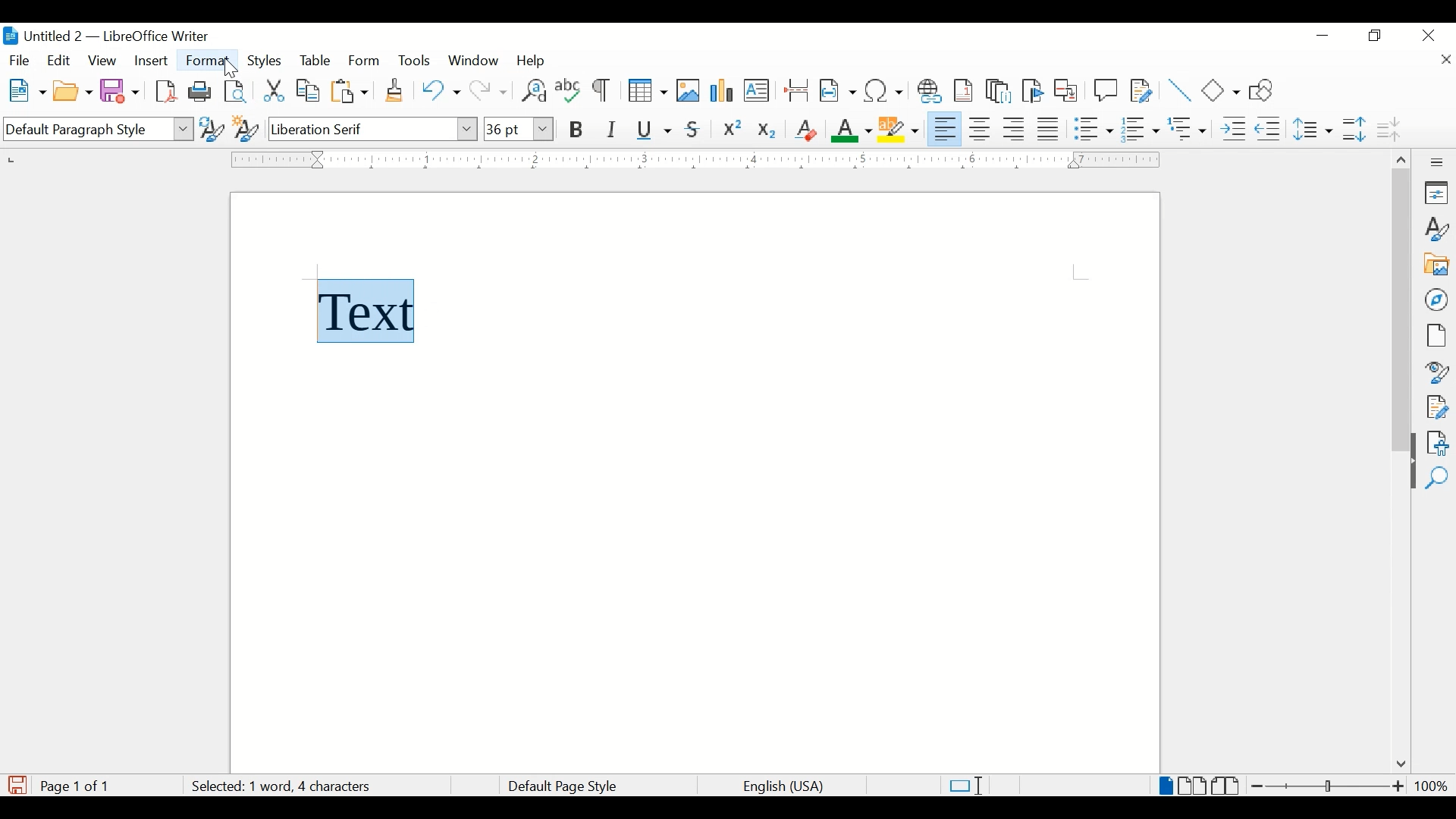 The width and height of the screenshot is (1456, 819). What do you see at coordinates (723, 92) in the screenshot?
I see `insert chart` at bounding box center [723, 92].